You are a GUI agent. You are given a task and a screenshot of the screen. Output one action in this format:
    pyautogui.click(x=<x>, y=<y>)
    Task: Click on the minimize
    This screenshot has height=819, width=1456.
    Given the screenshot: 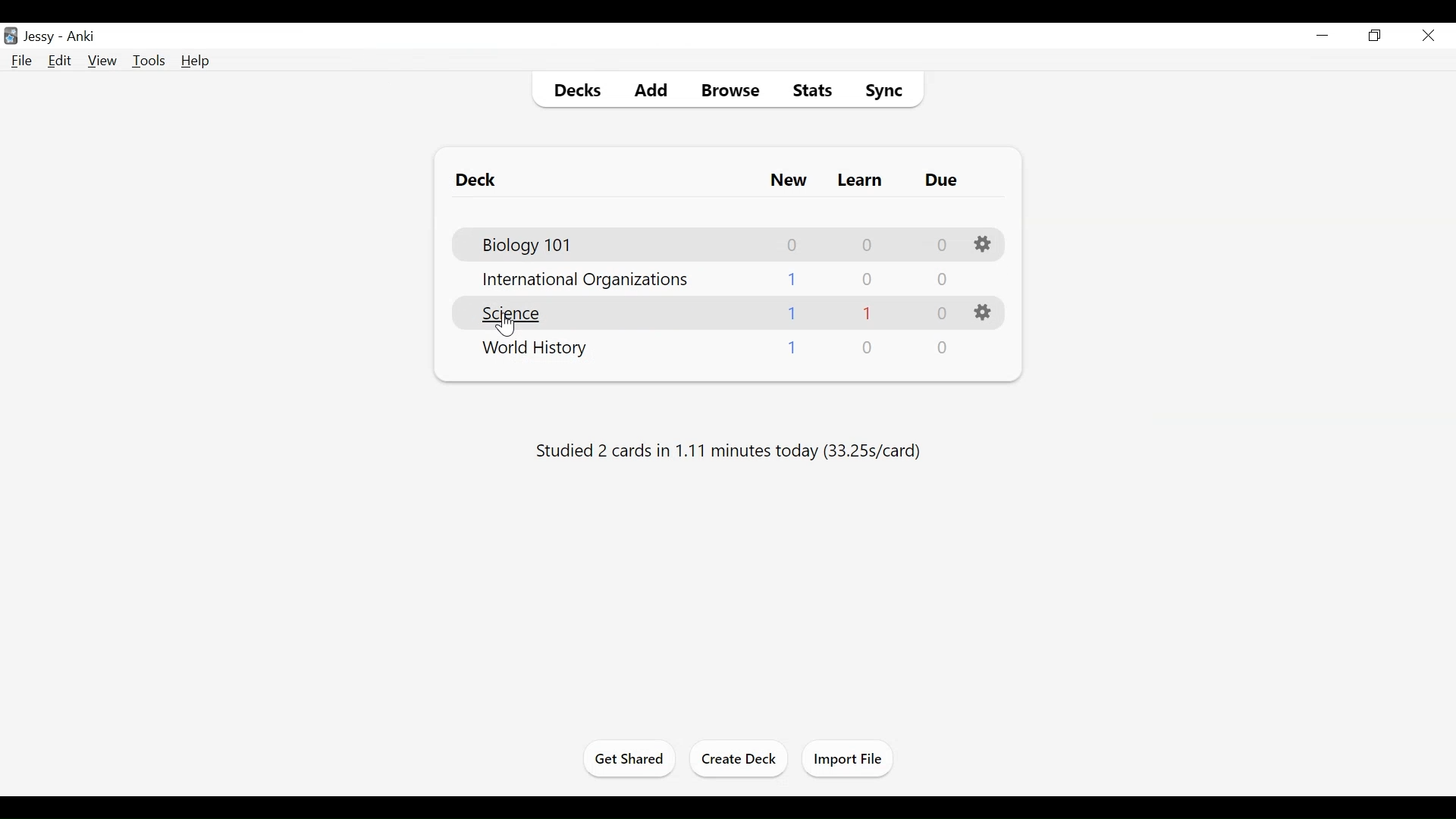 What is the action you would take?
    pyautogui.click(x=1323, y=36)
    